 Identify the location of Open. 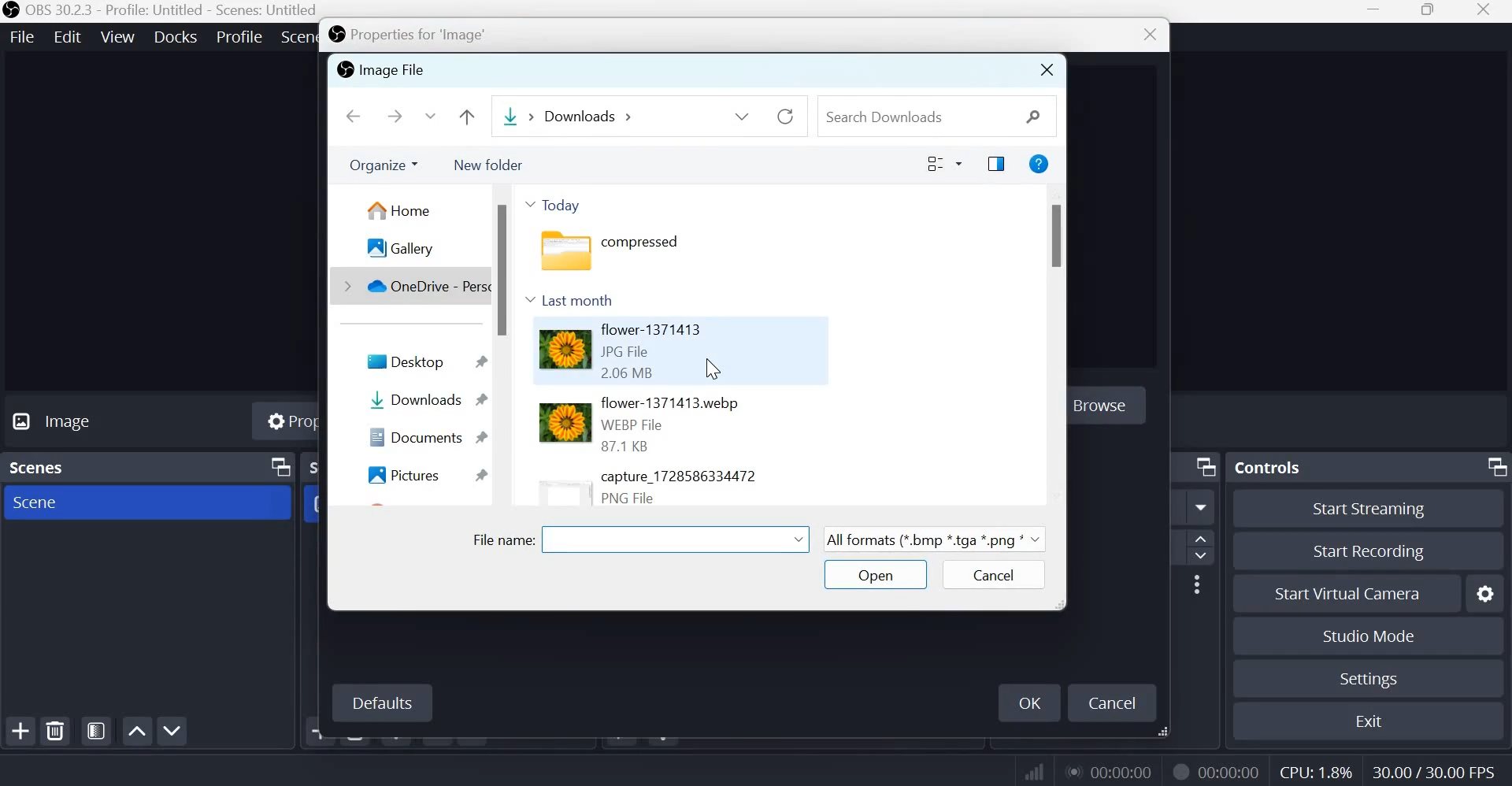
(872, 576).